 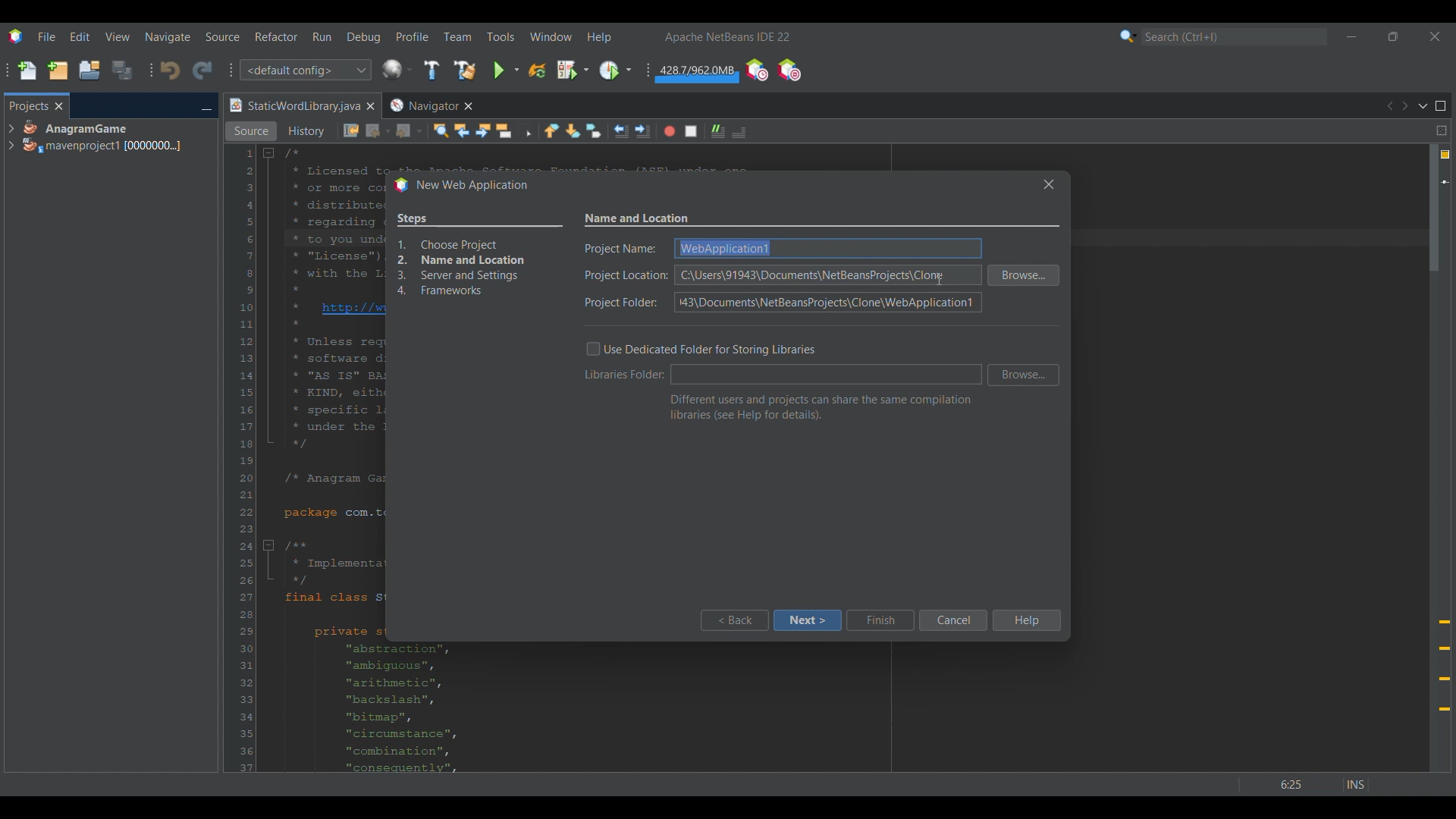 What do you see at coordinates (828, 275) in the screenshot?
I see `Text box for each respective detail` at bounding box center [828, 275].